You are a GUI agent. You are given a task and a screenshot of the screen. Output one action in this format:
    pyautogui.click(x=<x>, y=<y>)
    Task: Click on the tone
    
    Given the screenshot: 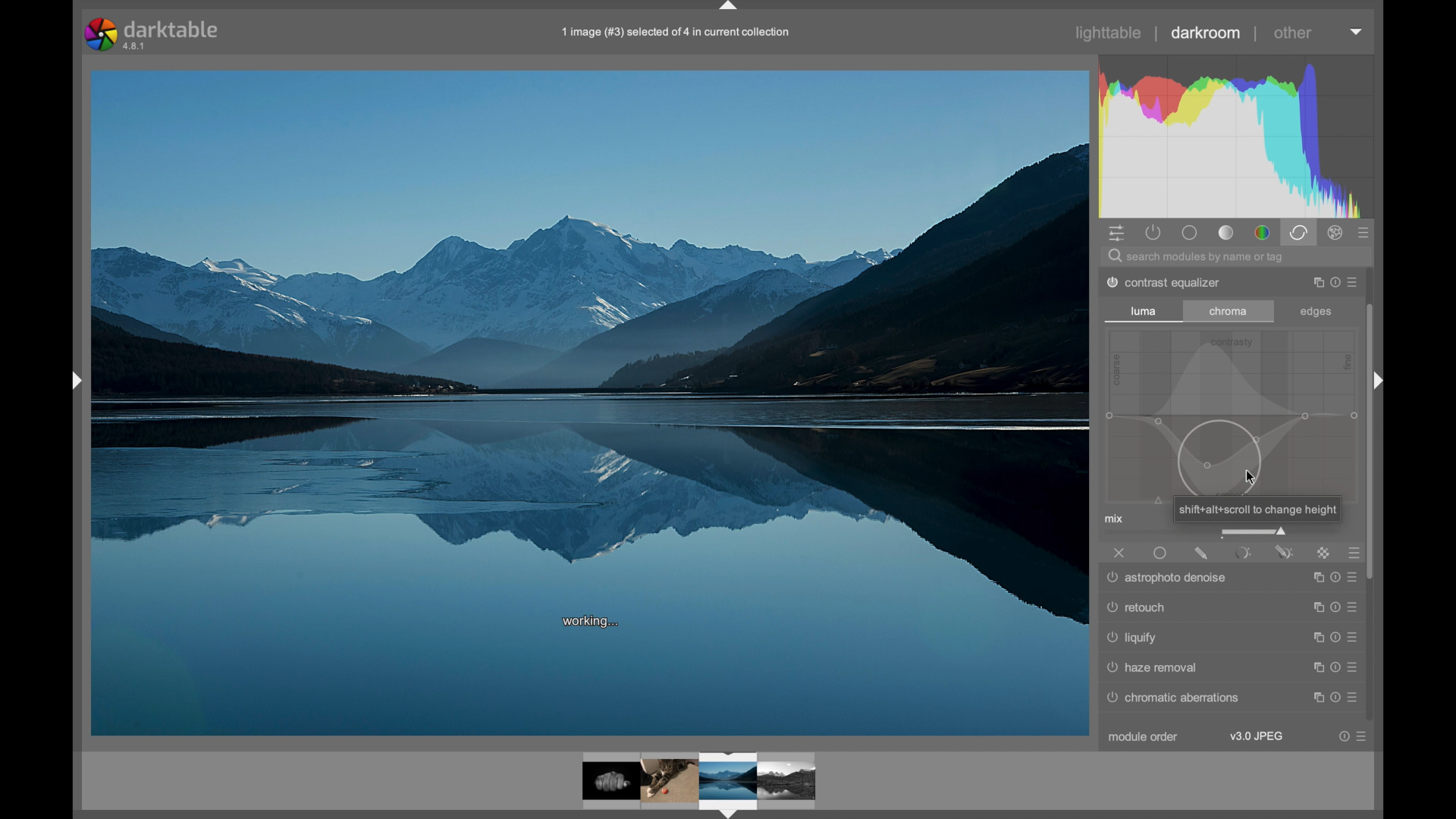 What is the action you would take?
    pyautogui.click(x=1227, y=234)
    